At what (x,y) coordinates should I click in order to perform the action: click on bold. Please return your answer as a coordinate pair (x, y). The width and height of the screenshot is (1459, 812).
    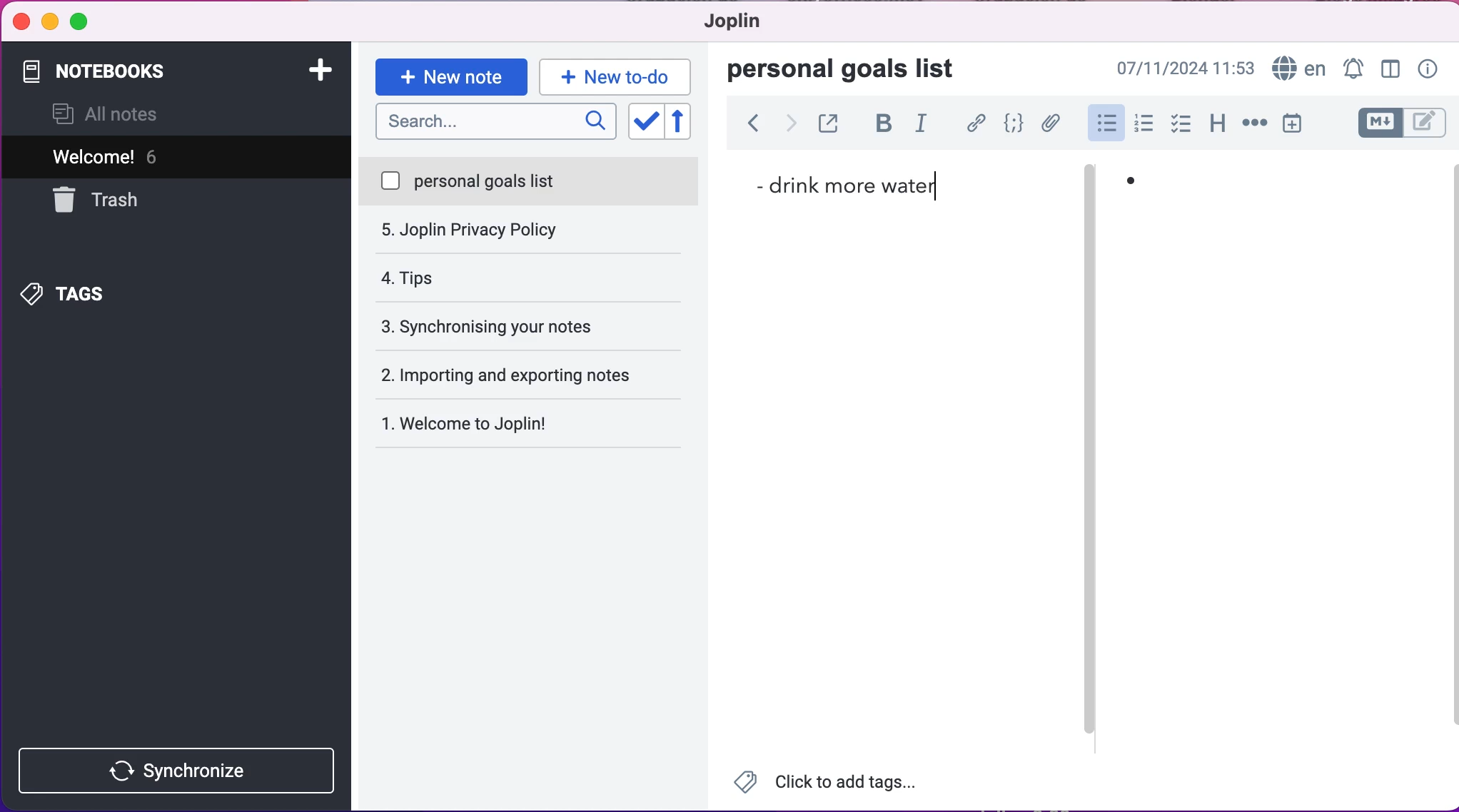
    Looking at the image, I should click on (880, 126).